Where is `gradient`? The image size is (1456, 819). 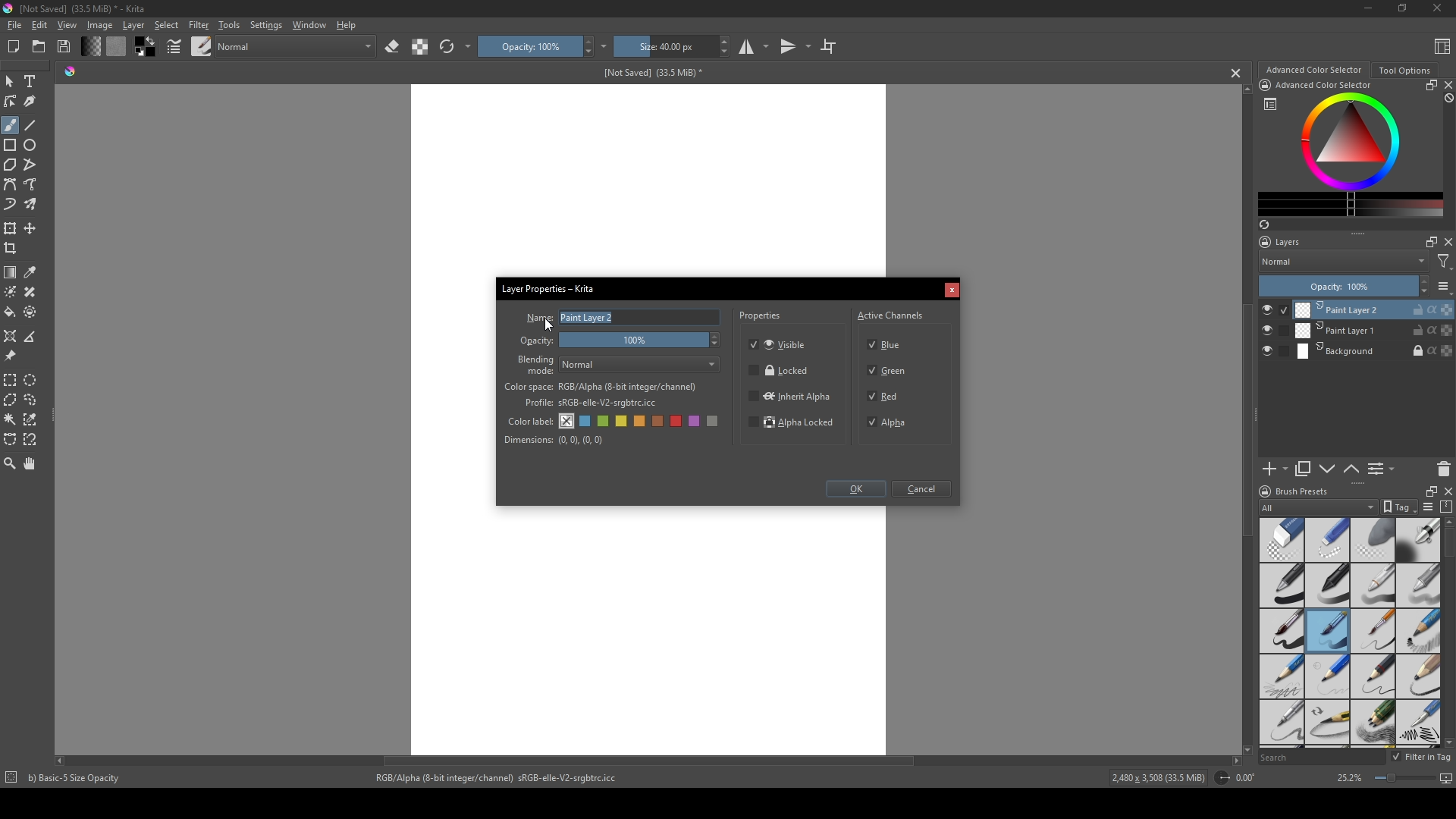 gradient is located at coordinates (11, 272).